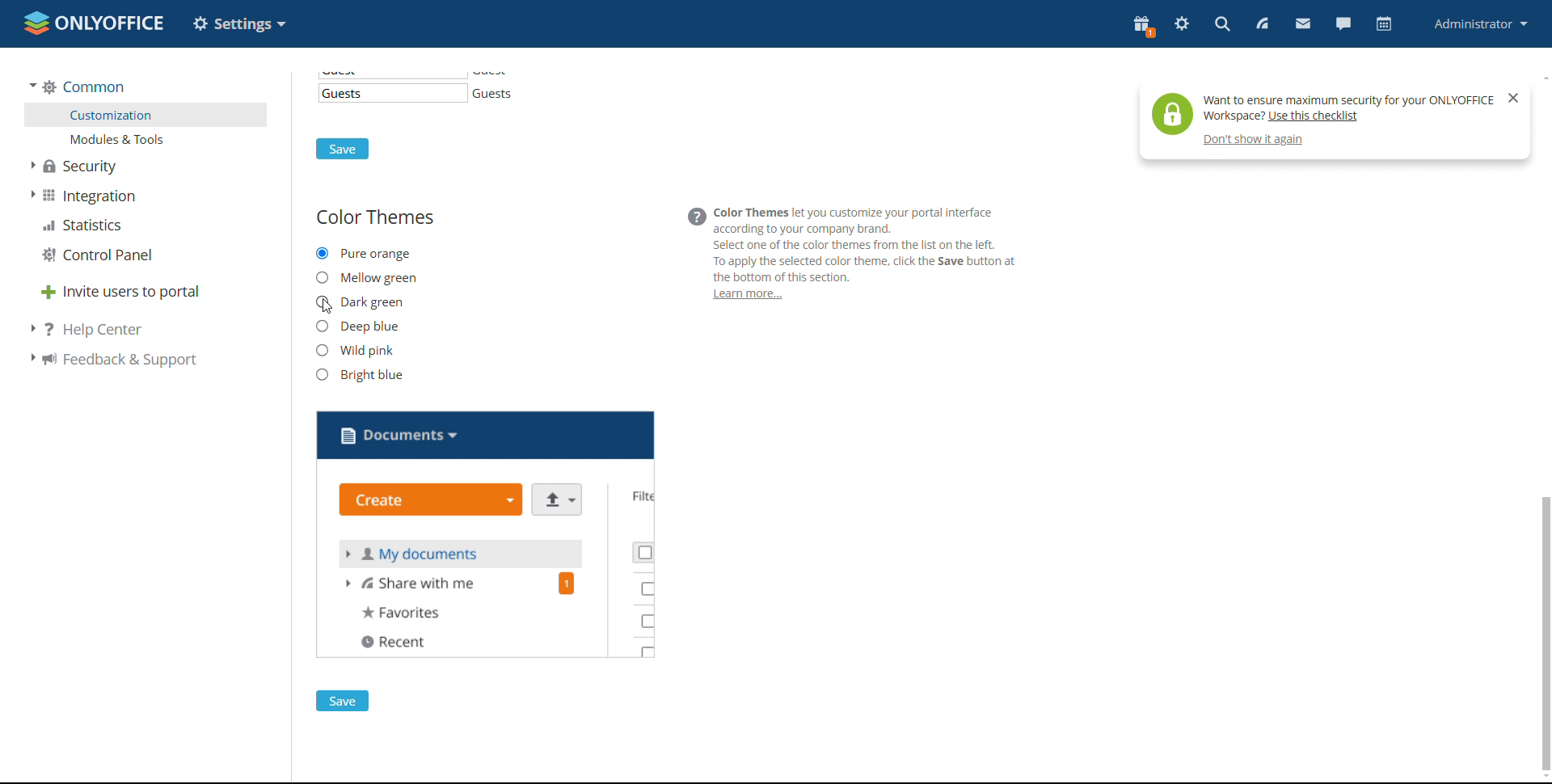 The height and width of the screenshot is (784, 1552). Describe the element at coordinates (239, 23) in the screenshot. I see `option changed` at that location.